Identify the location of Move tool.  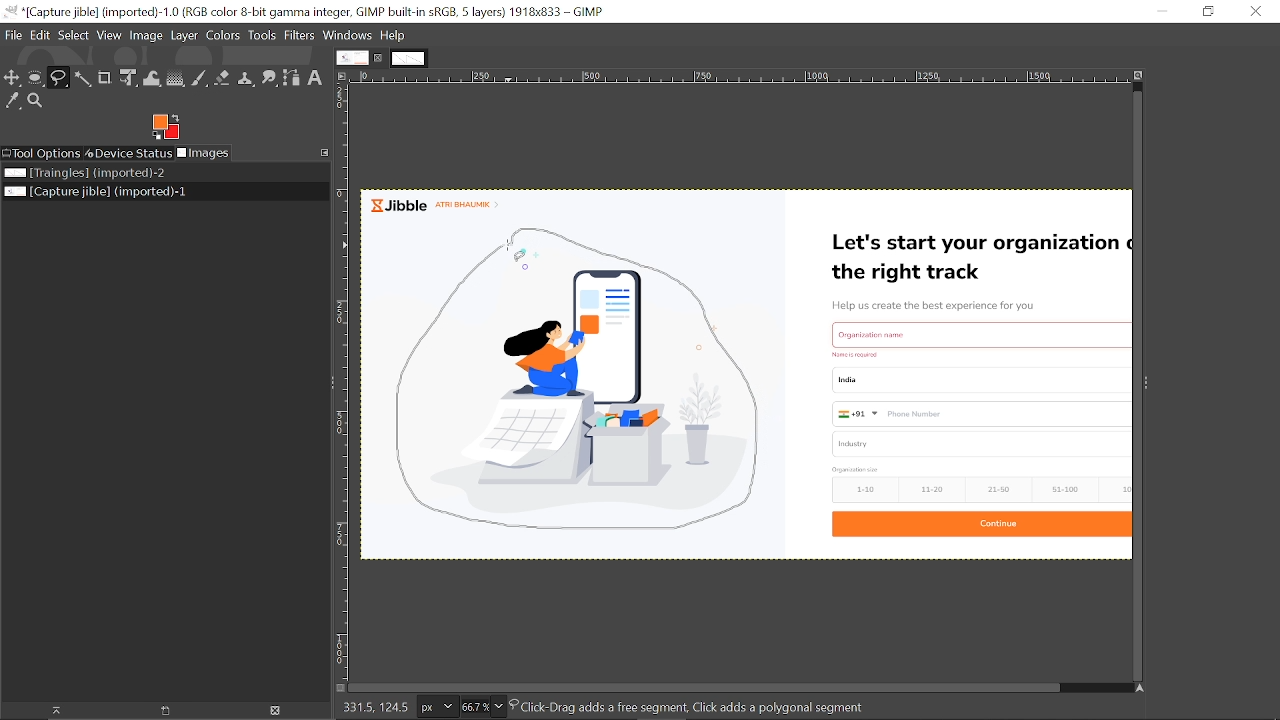
(13, 77).